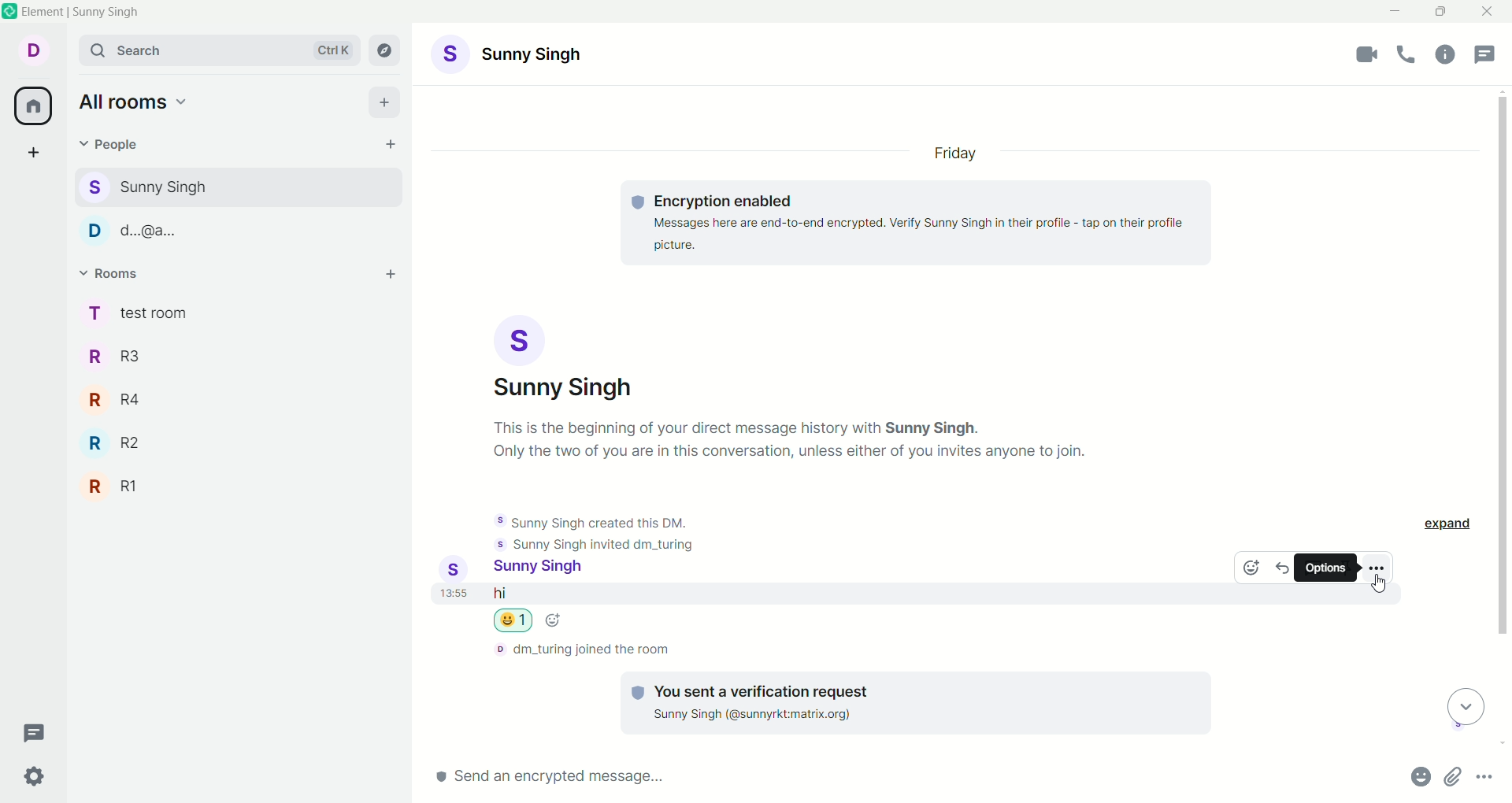 The height and width of the screenshot is (803, 1512). Describe the element at coordinates (1455, 778) in the screenshot. I see `attachments` at that location.